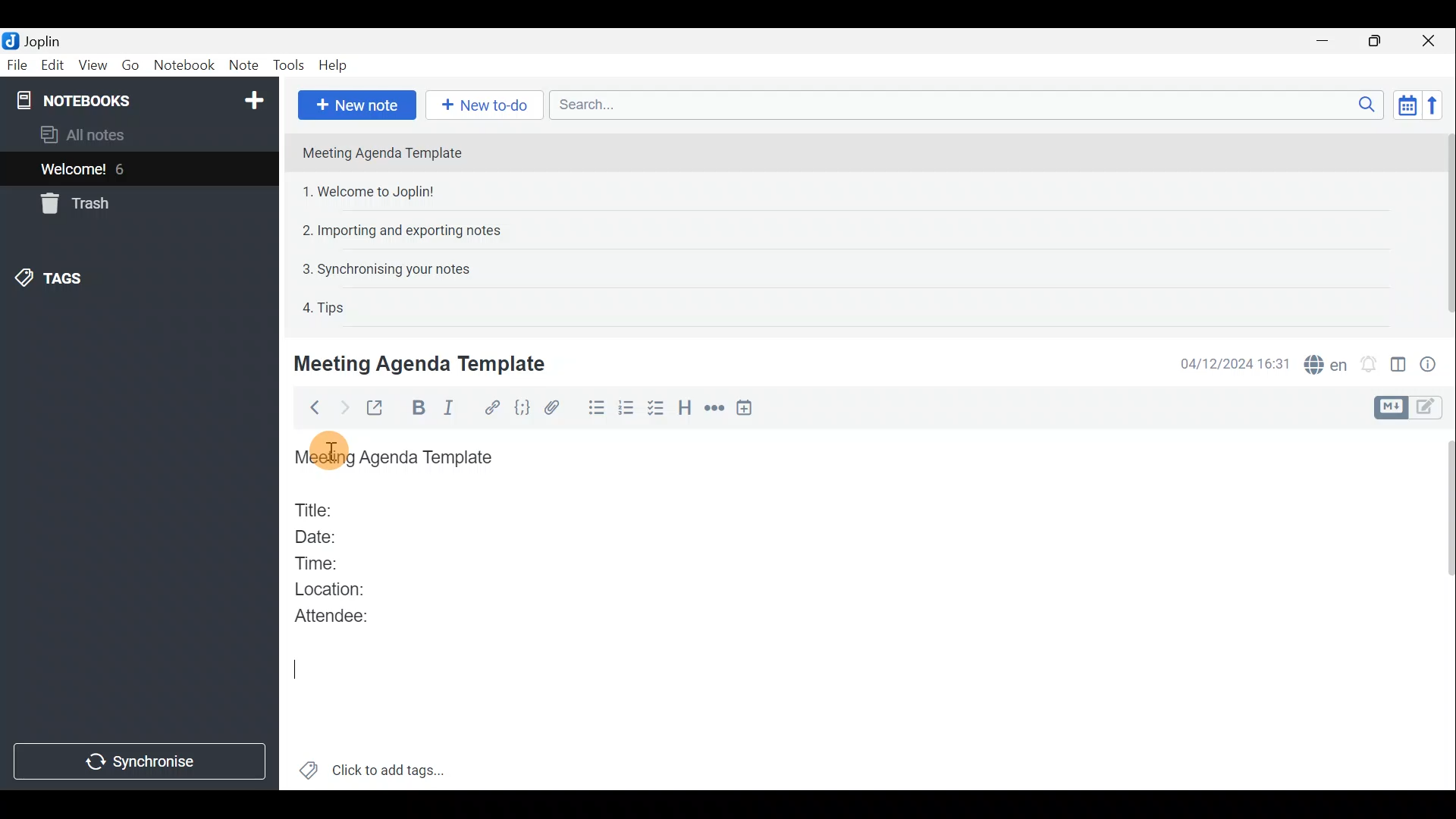 This screenshot has height=819, width=1456. I want to click on Meeting Agenda Template, so click(384, 152).